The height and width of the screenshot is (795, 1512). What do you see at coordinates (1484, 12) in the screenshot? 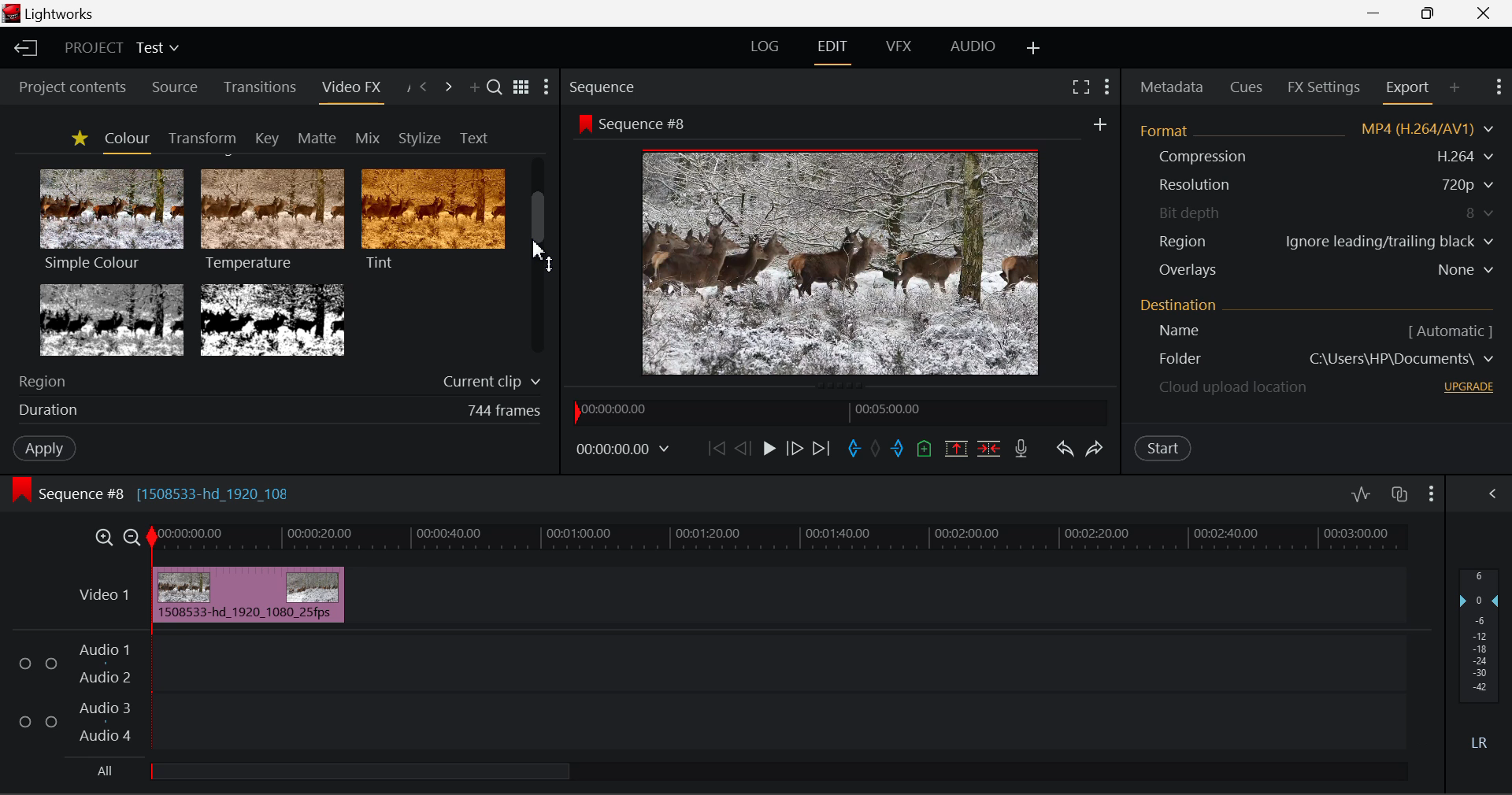
I see `Close` at bounding box center [1484, 12].